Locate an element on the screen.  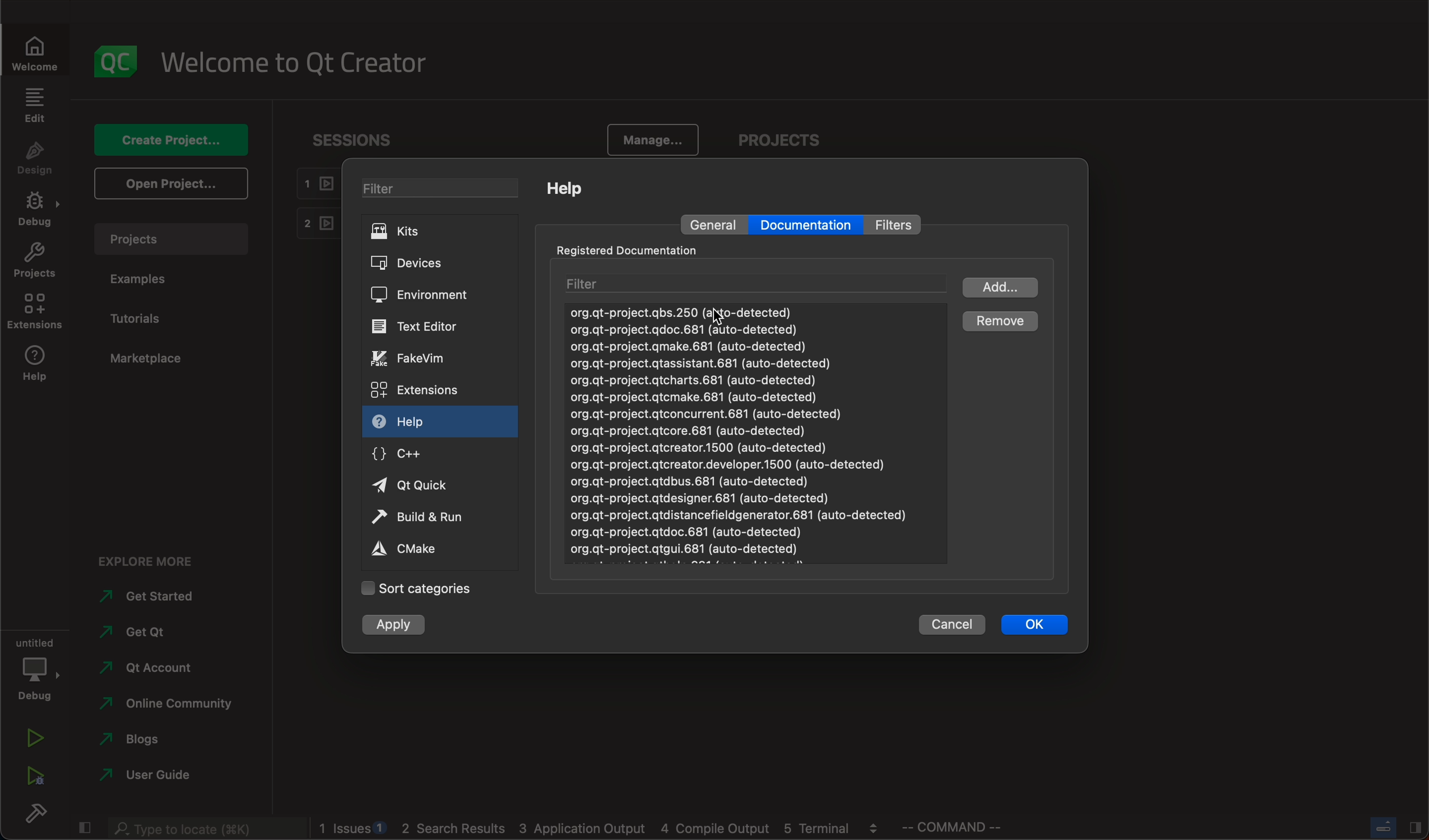
guide is located at coordinates (146, 775).